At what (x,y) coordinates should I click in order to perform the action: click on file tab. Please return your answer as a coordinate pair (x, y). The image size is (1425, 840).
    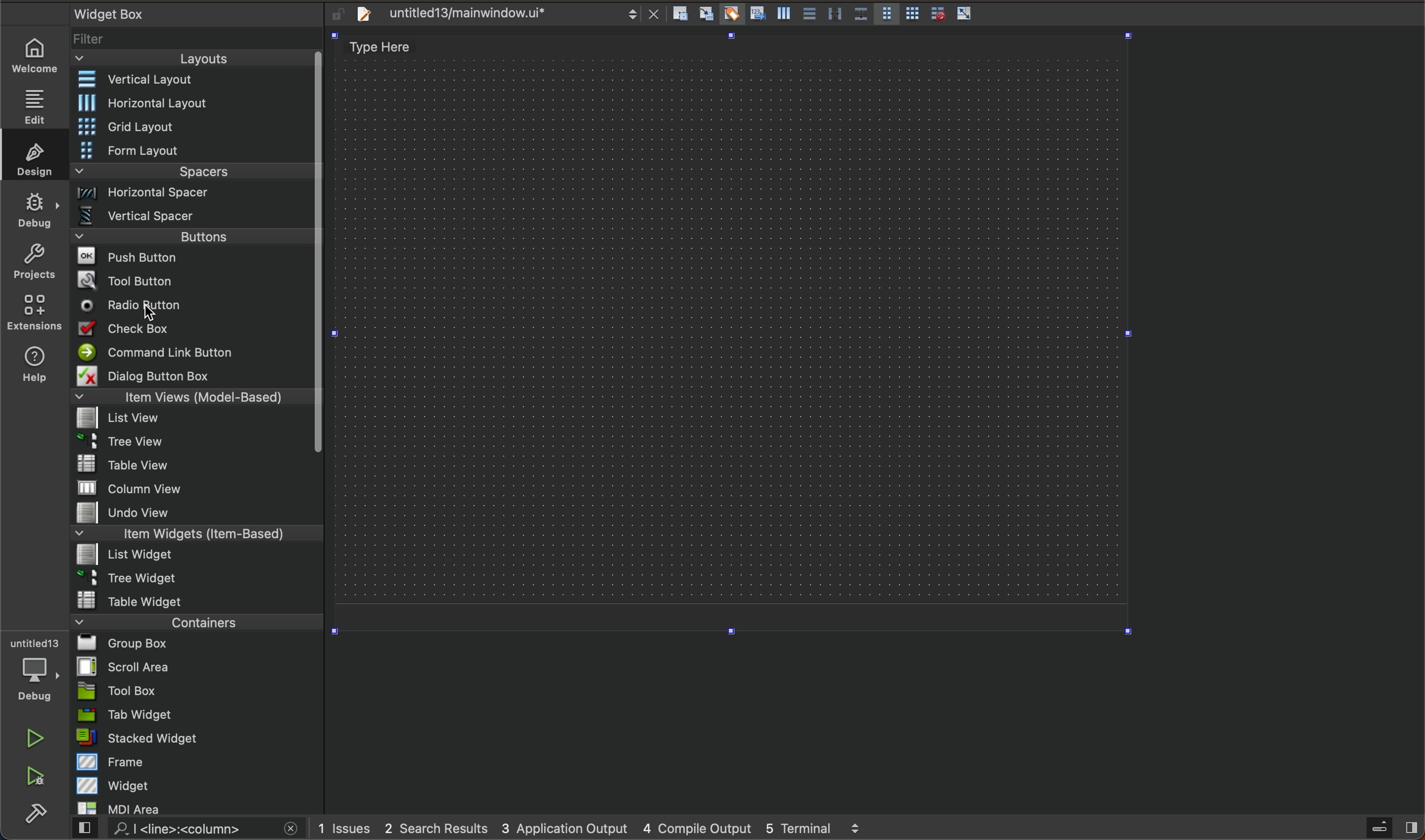
    Looking at the image, I should click on (504, 14).